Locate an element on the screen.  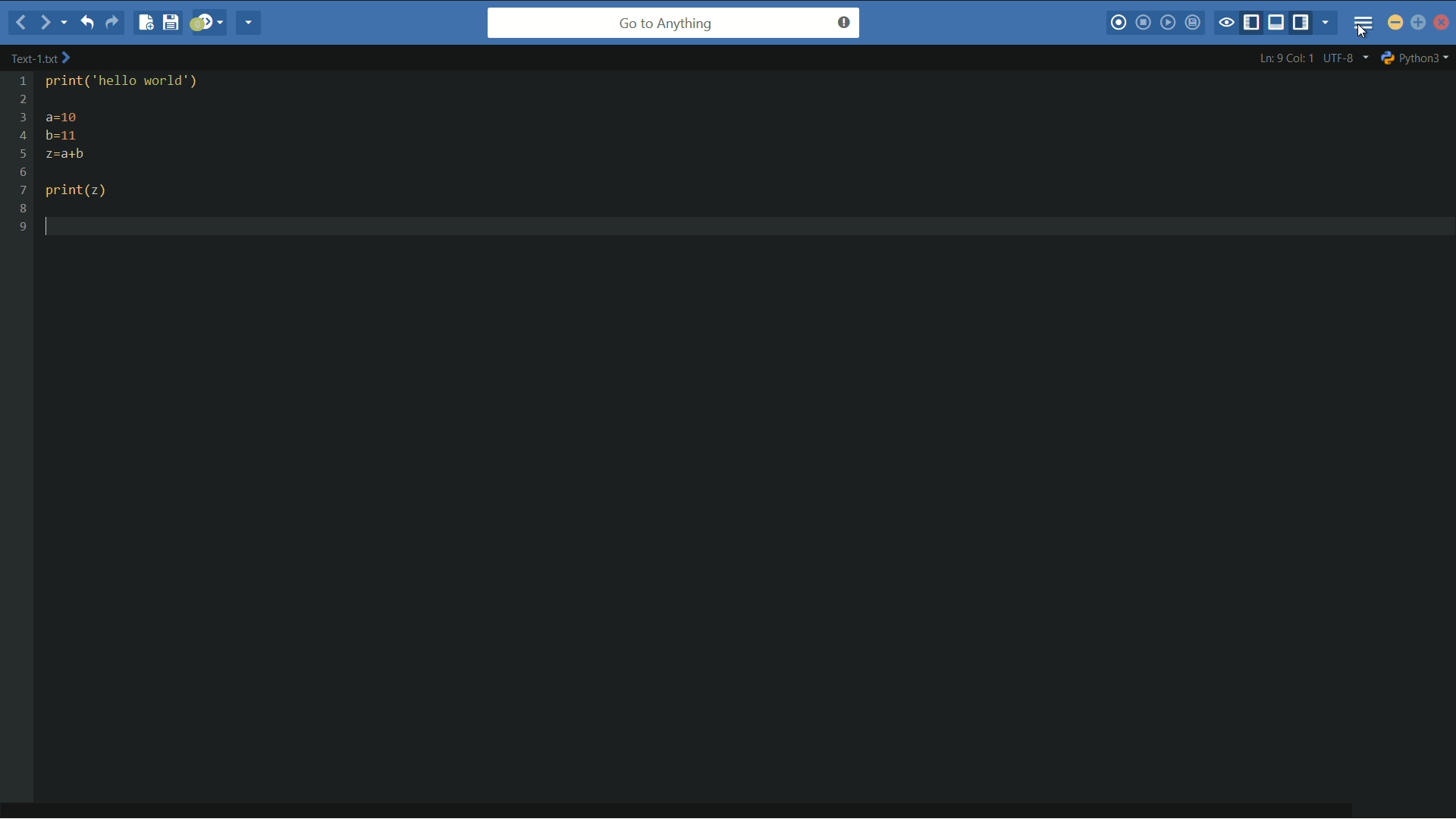
show specific tab/bar is located at coordinates (1327, 24).